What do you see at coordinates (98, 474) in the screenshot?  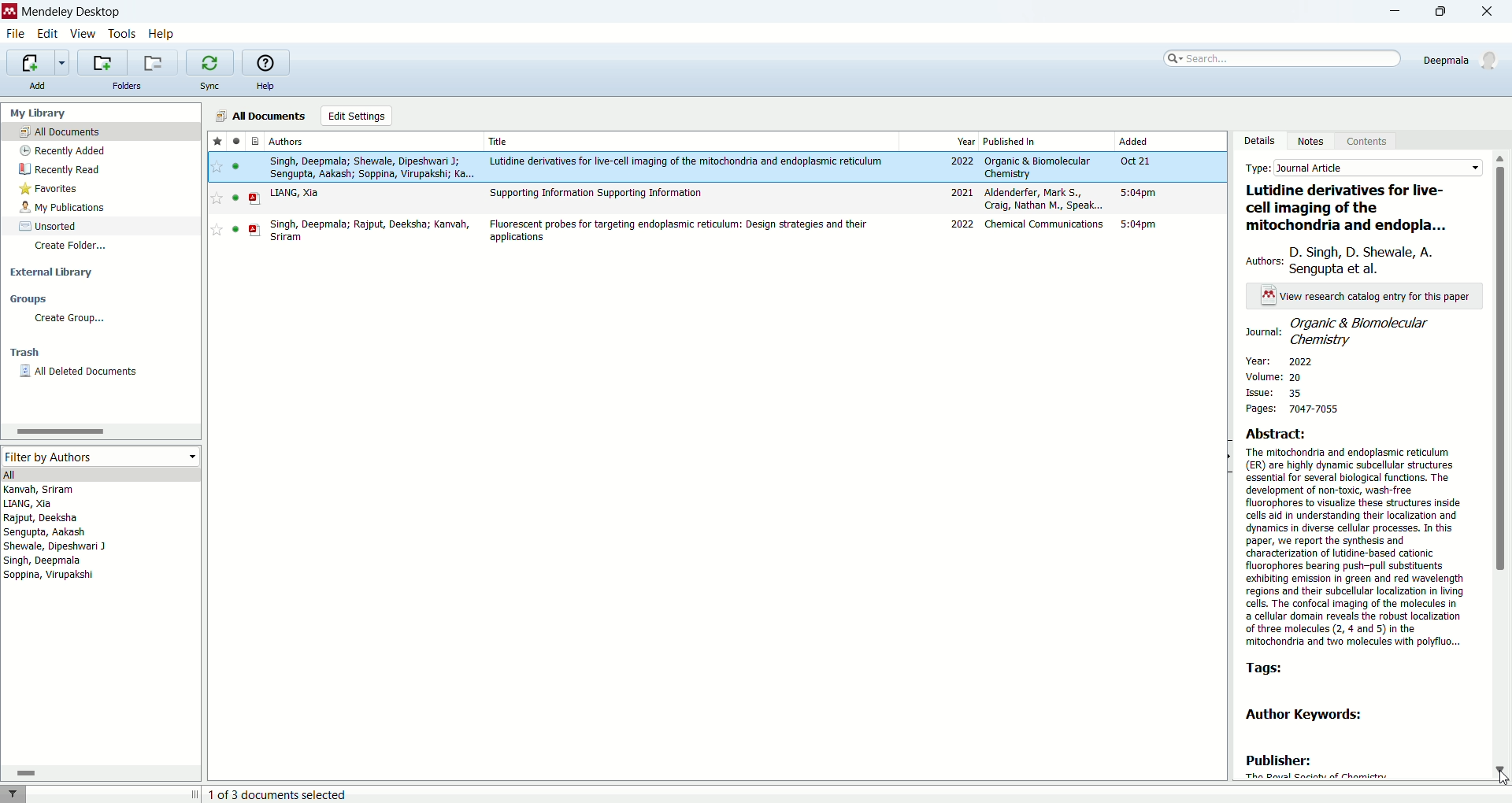 I see `all` at bounding box center [98, 474].